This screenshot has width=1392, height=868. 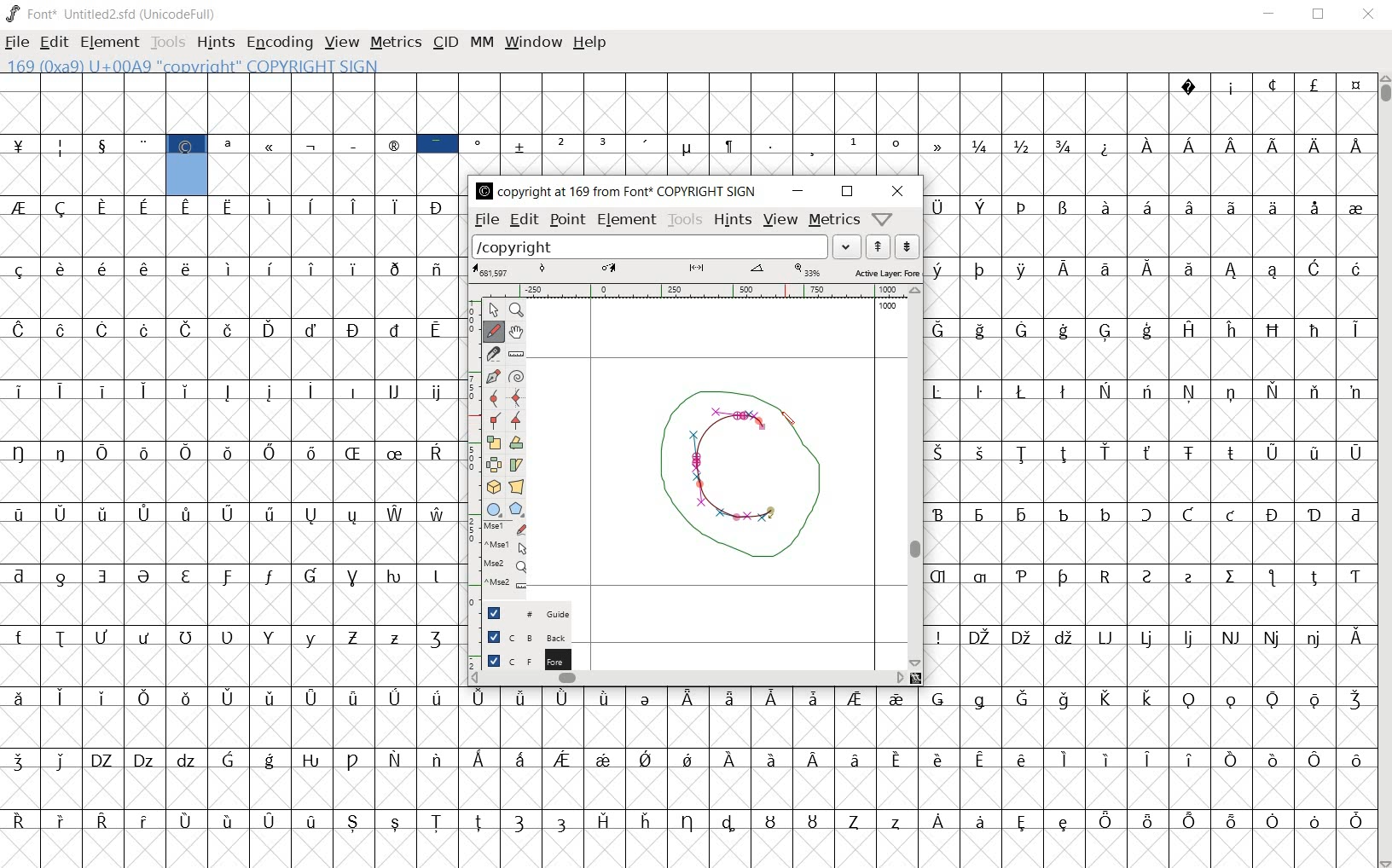 I want to click on edit, so click(x=522, y=219).